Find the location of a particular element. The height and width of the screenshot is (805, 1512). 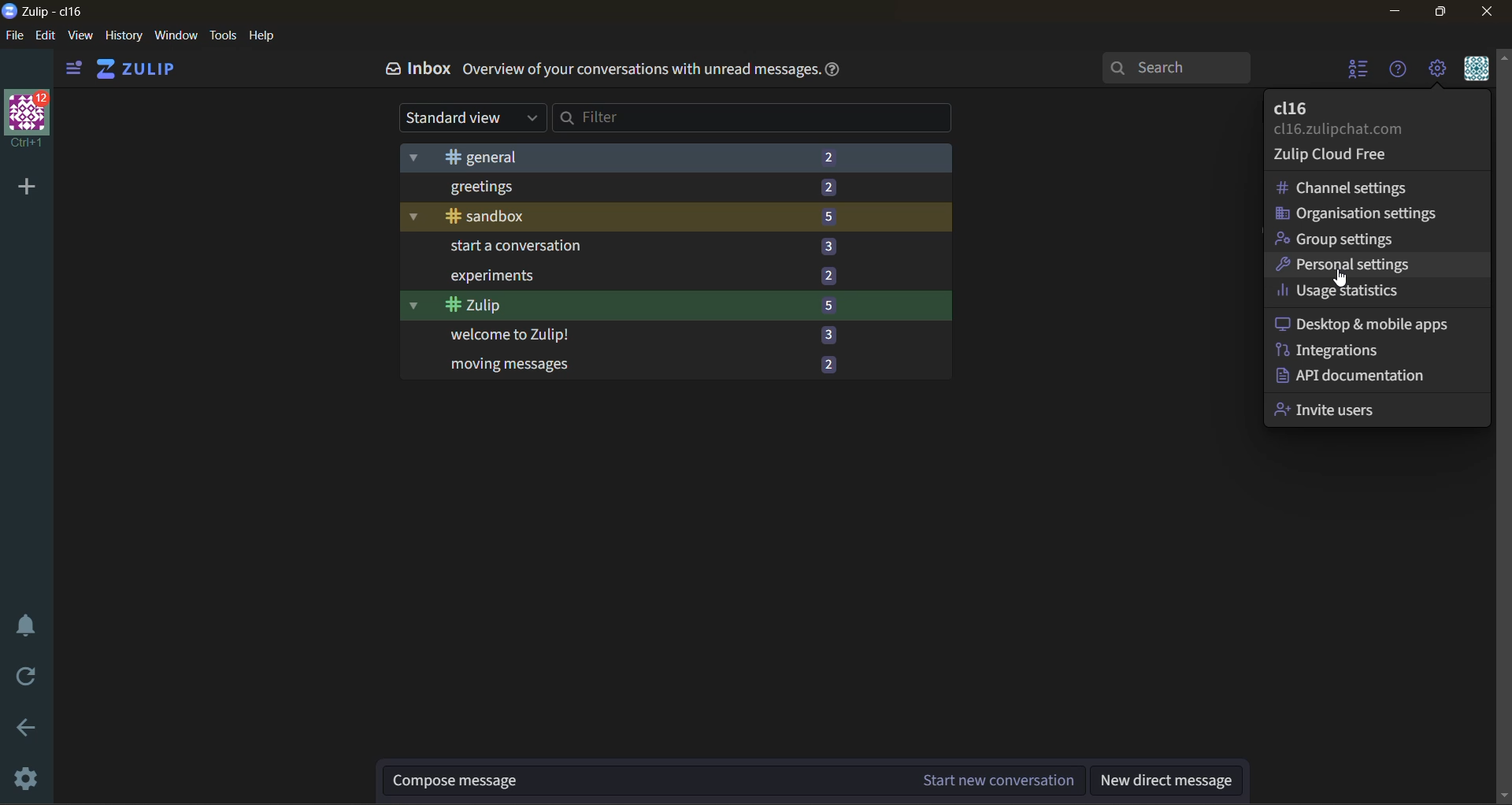

cursor is located at coordinates (1345, 280).